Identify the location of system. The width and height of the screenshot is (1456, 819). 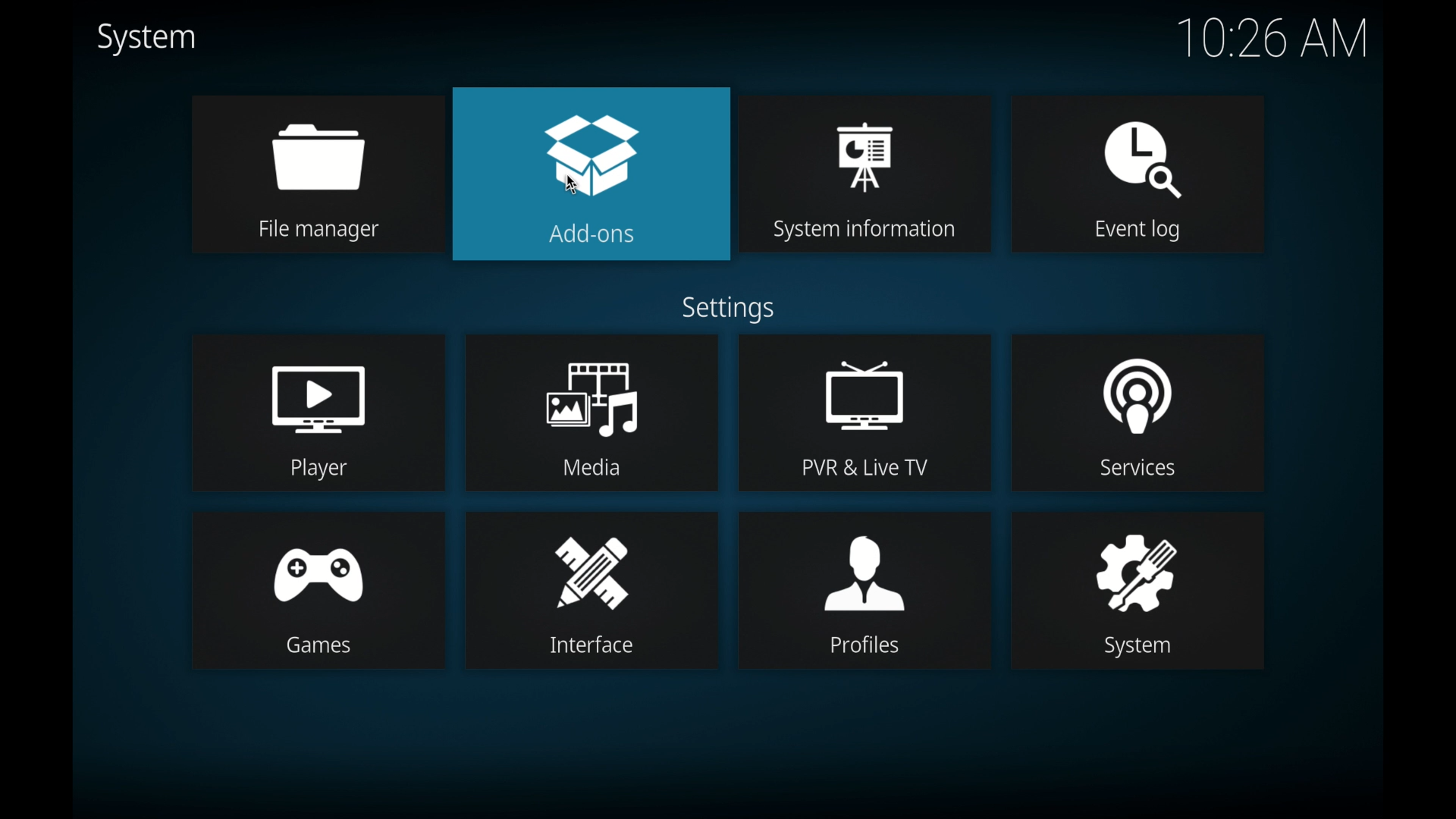
(1137, 591).